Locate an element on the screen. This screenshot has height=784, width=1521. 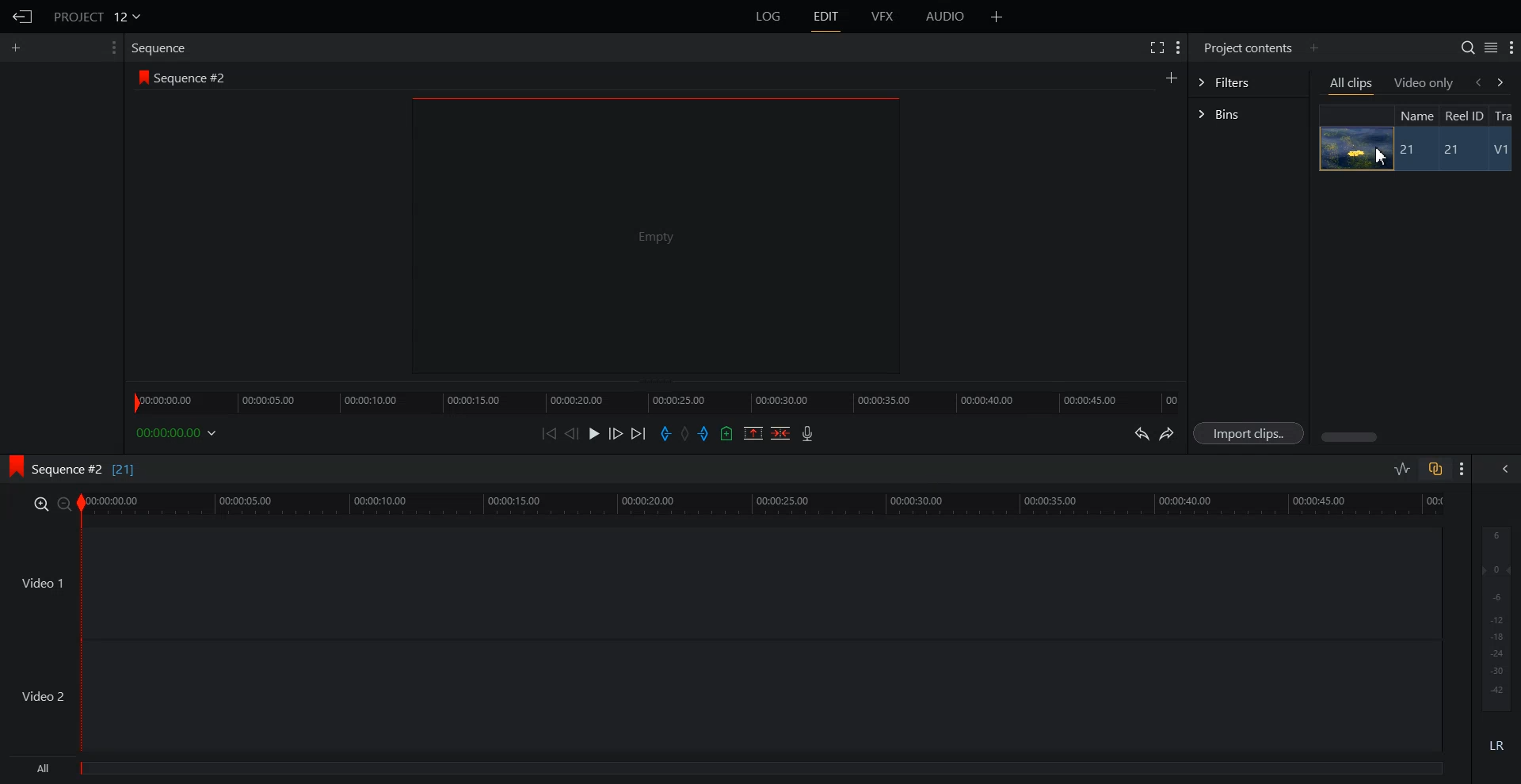
Import clips is located at coordinates (1252, 434).